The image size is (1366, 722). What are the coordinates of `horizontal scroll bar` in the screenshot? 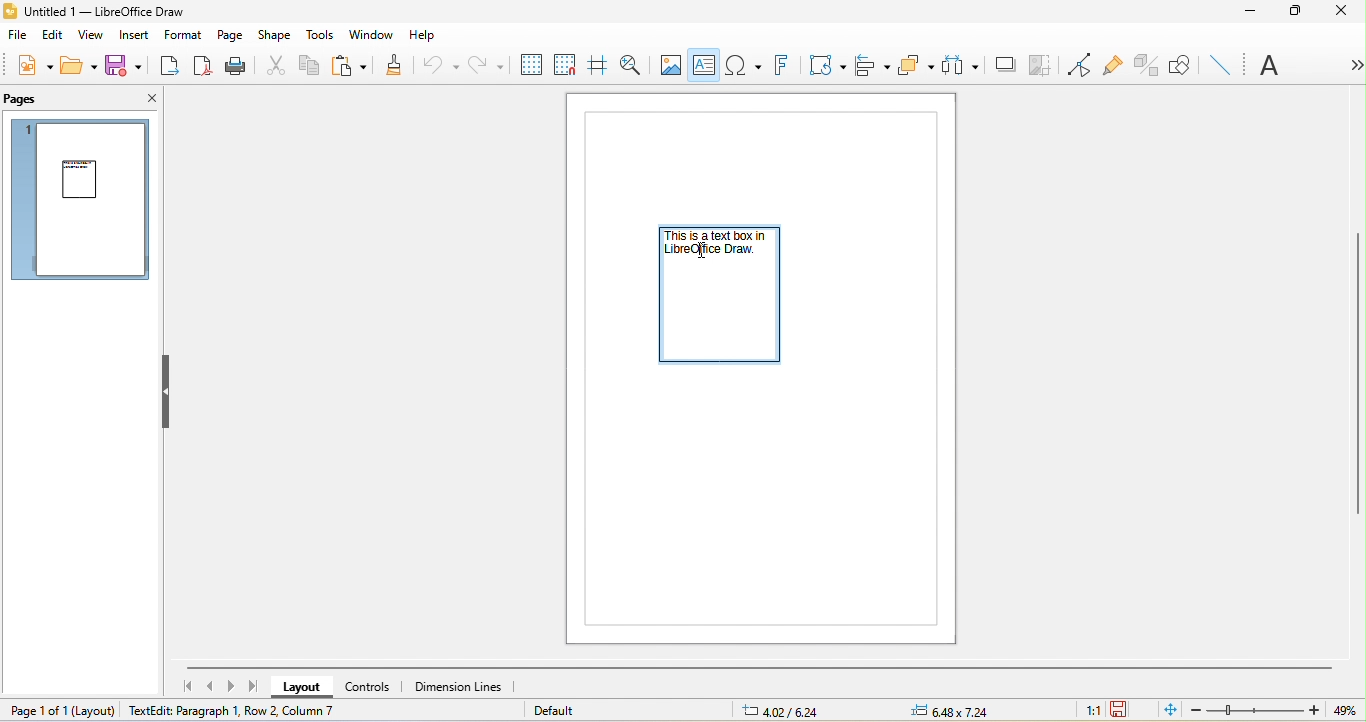 It's located at (756, 669).